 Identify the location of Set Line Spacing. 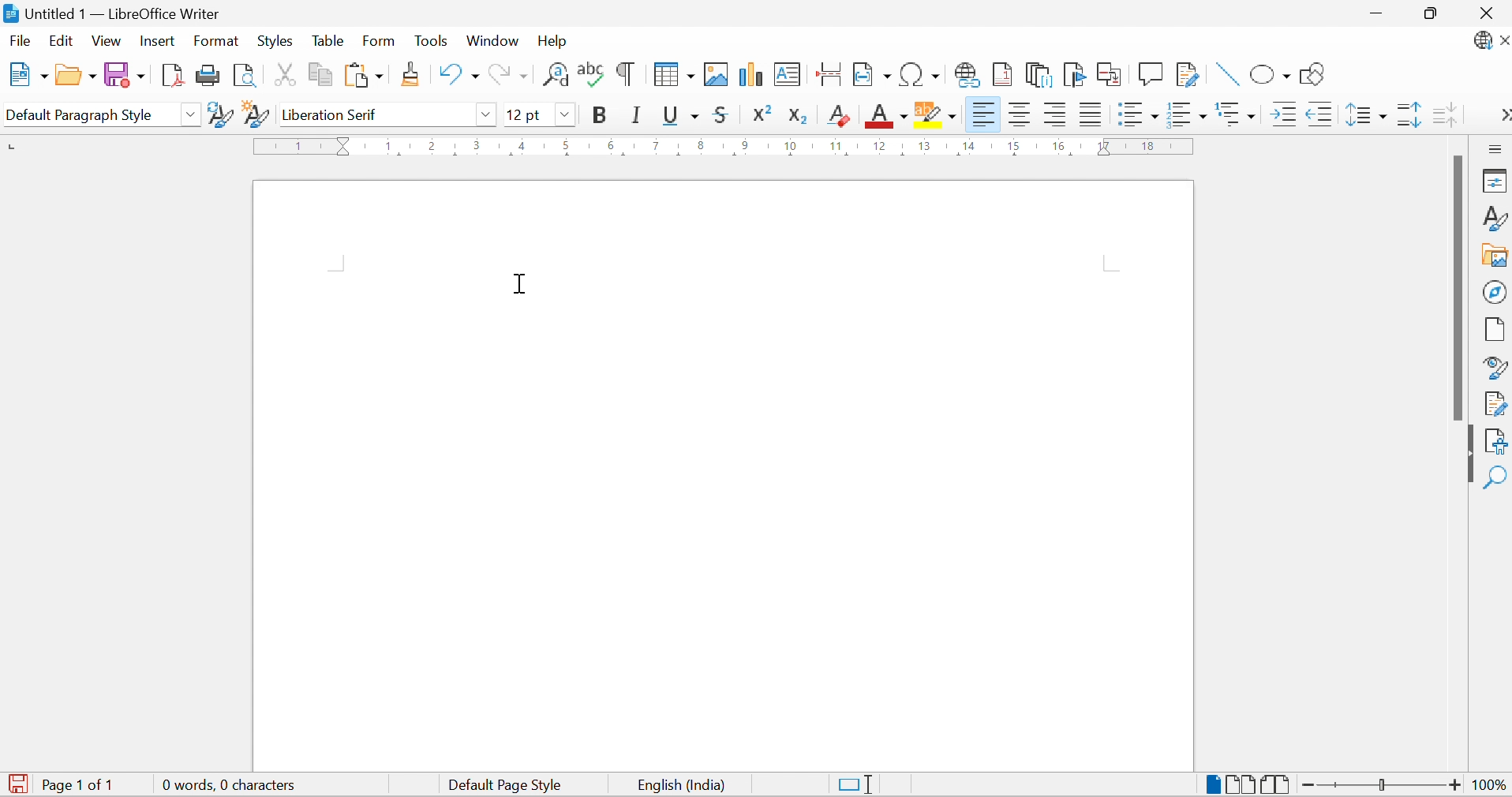
(1365, 115).